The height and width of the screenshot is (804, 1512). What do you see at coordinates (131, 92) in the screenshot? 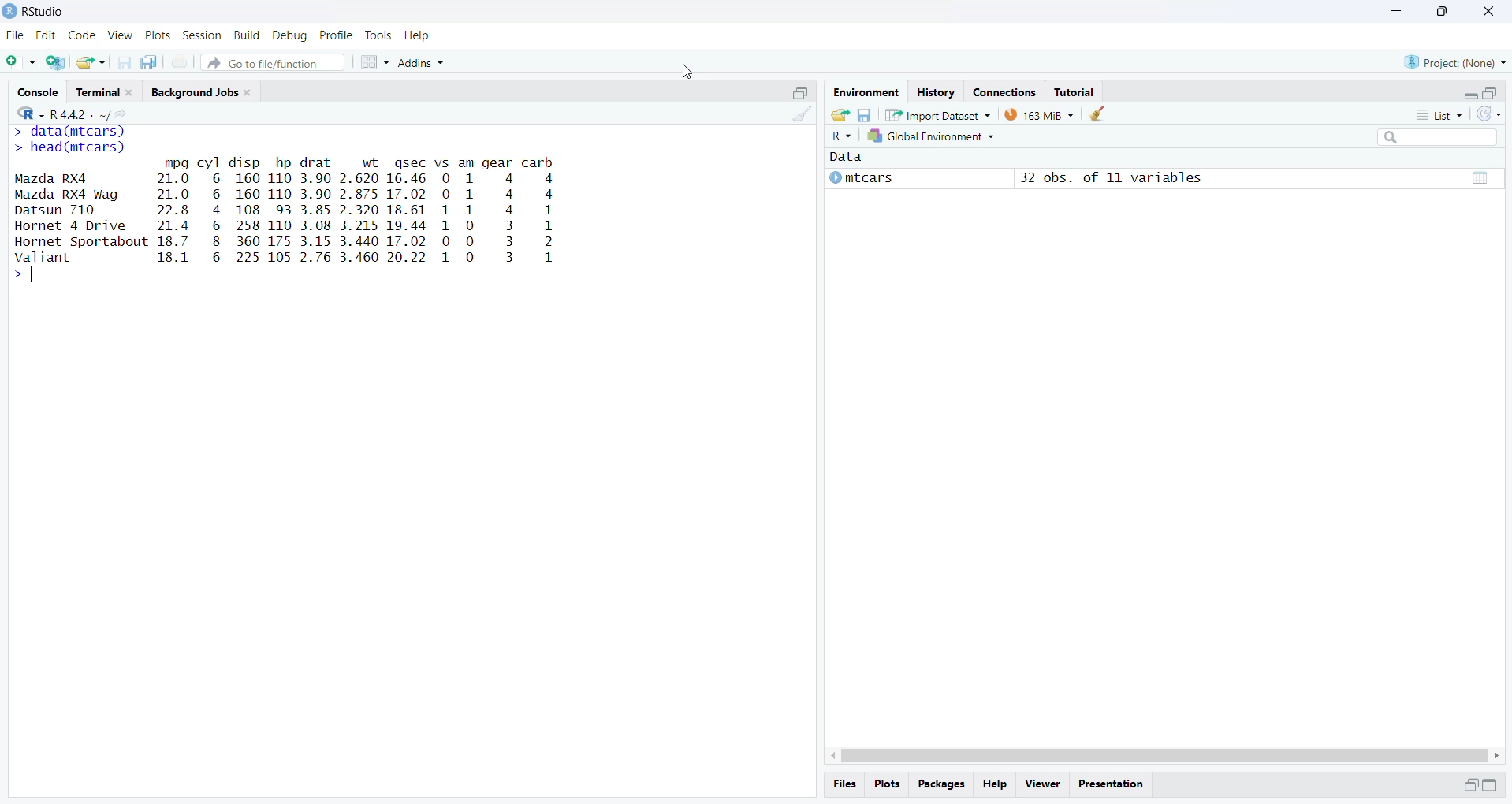
I see `close` at bounding box center [131, 92].